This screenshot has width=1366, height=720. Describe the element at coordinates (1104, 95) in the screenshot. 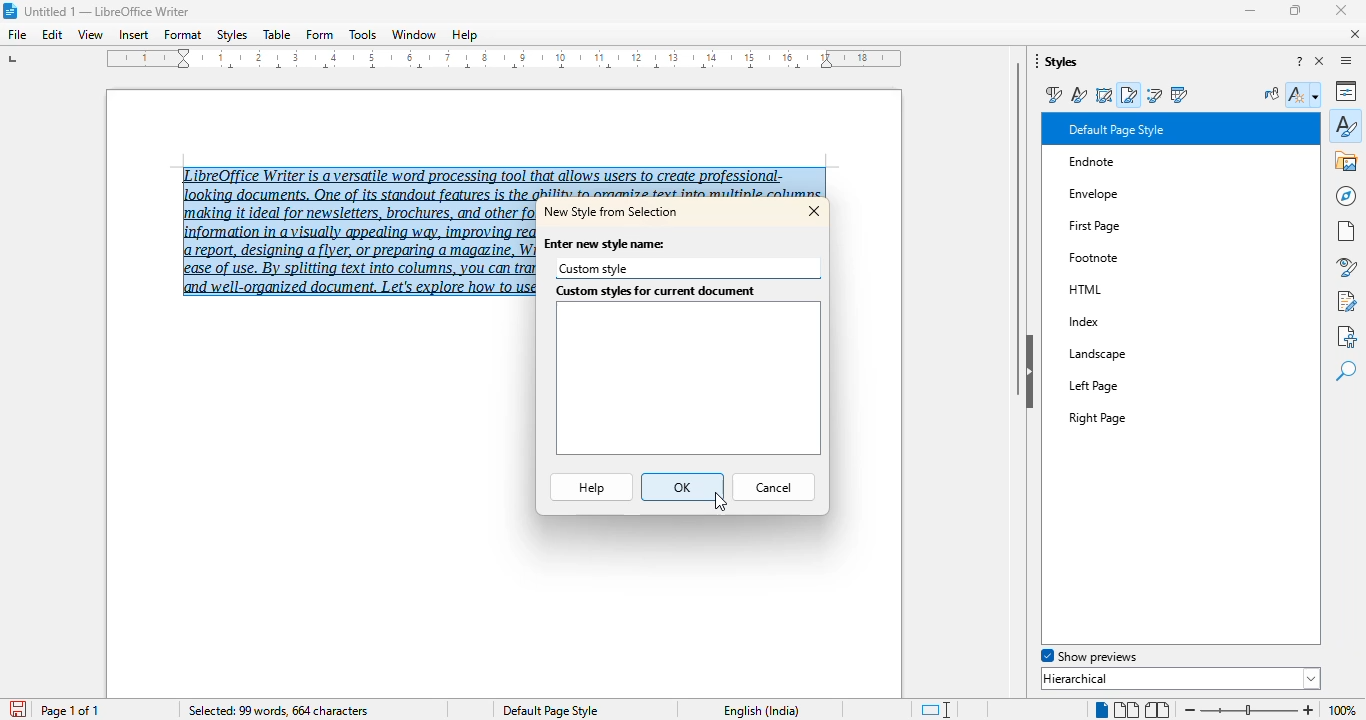

I see `frame styles` at that location.